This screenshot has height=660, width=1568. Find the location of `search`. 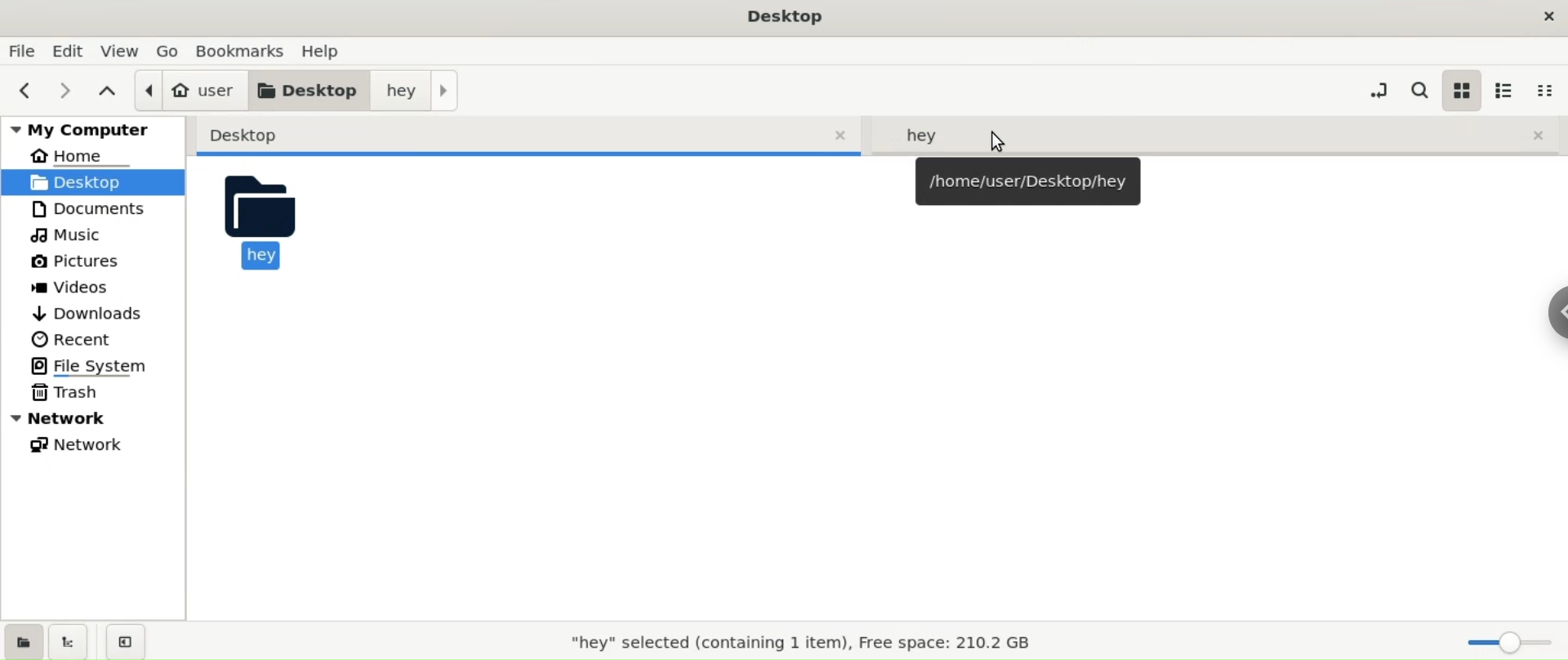

search is located at coordinates (1419, 91).